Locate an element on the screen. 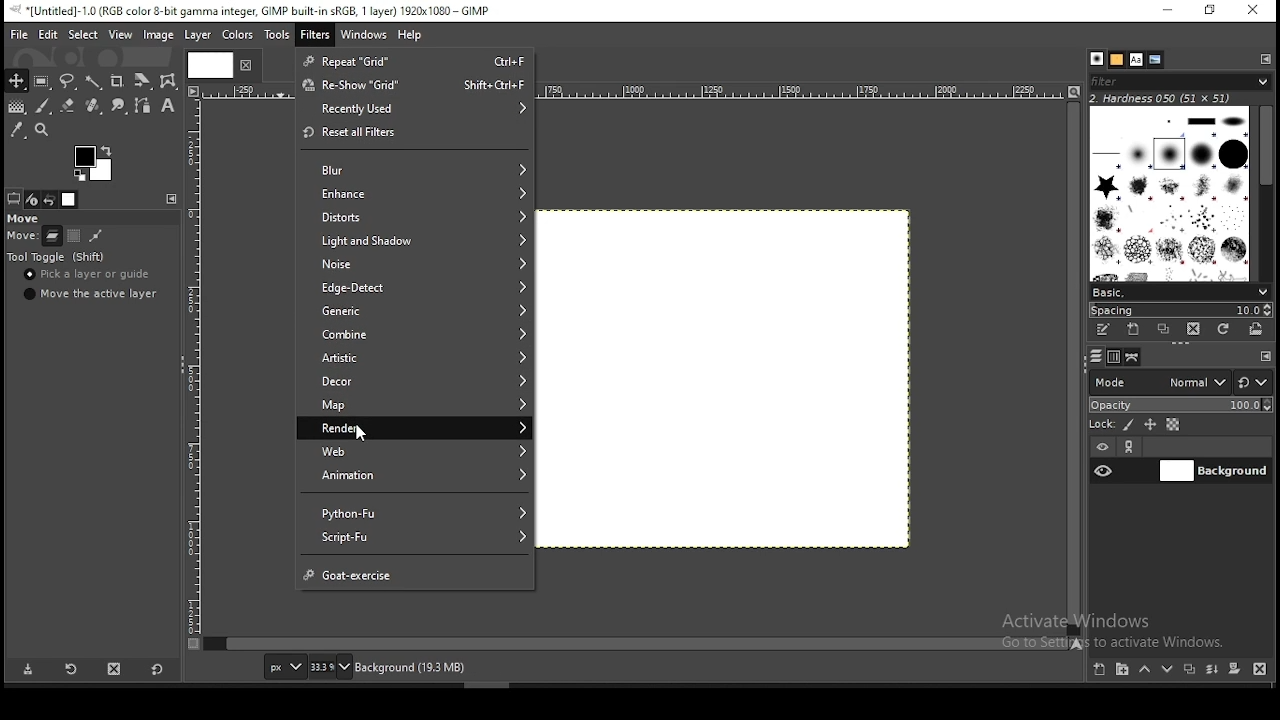 This screenshot has width=1280, height=720. select is located at coordinates (80, 34).